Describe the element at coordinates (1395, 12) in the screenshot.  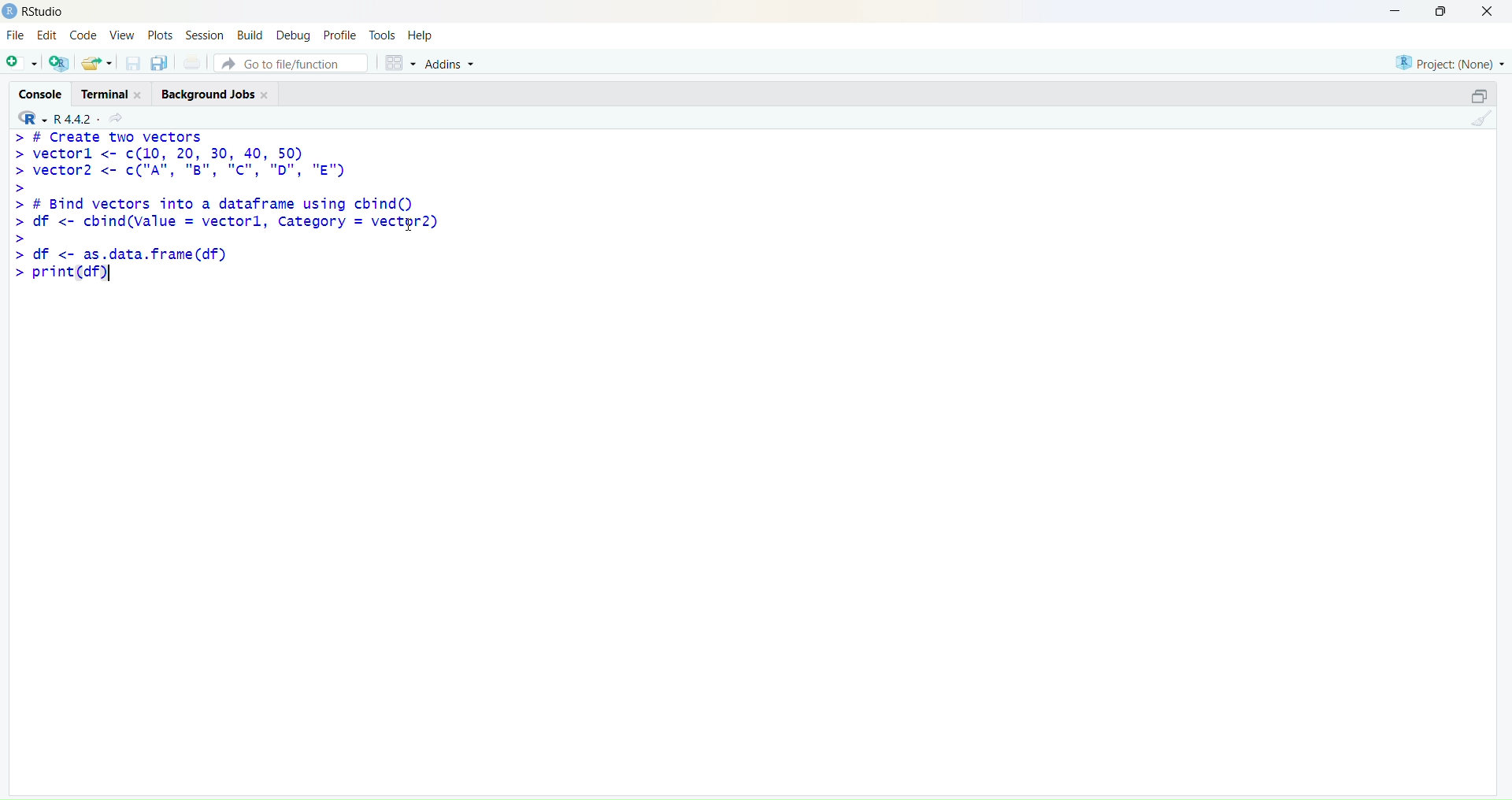
I see `Minimize` at that location.